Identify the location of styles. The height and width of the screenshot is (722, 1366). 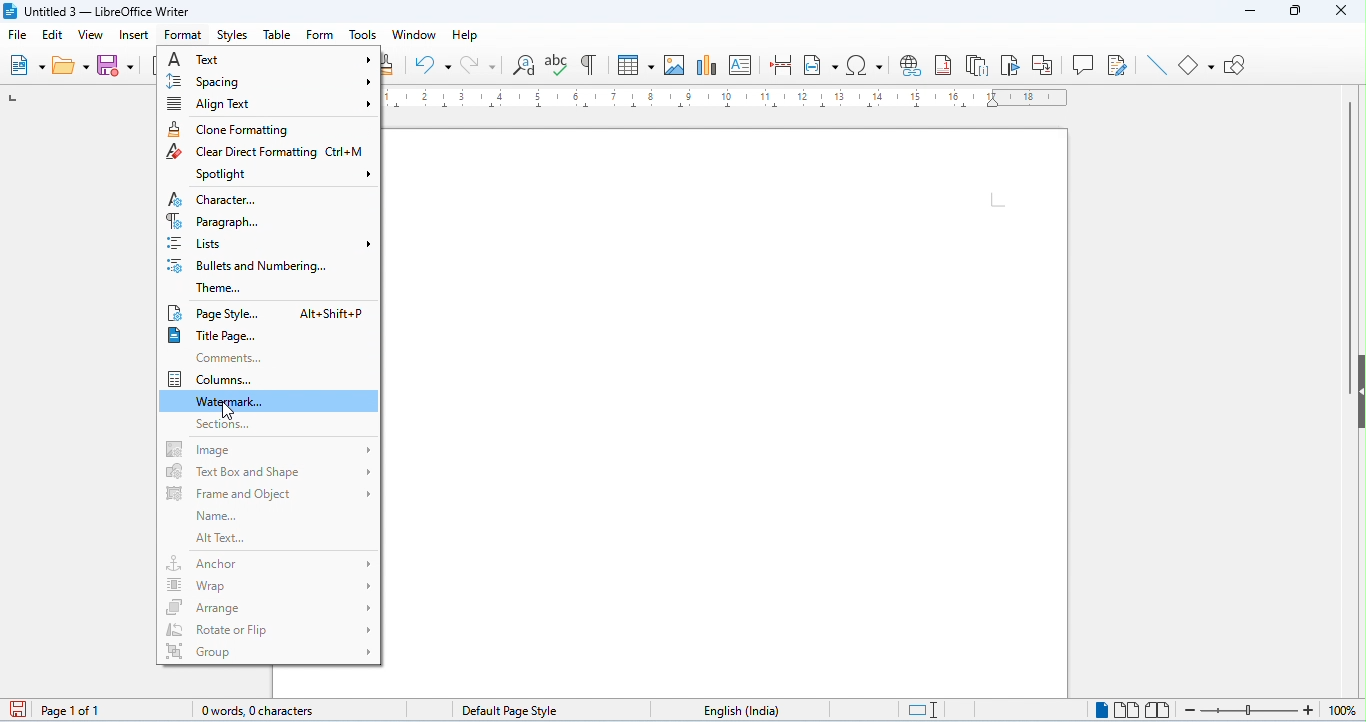
(232, 35).